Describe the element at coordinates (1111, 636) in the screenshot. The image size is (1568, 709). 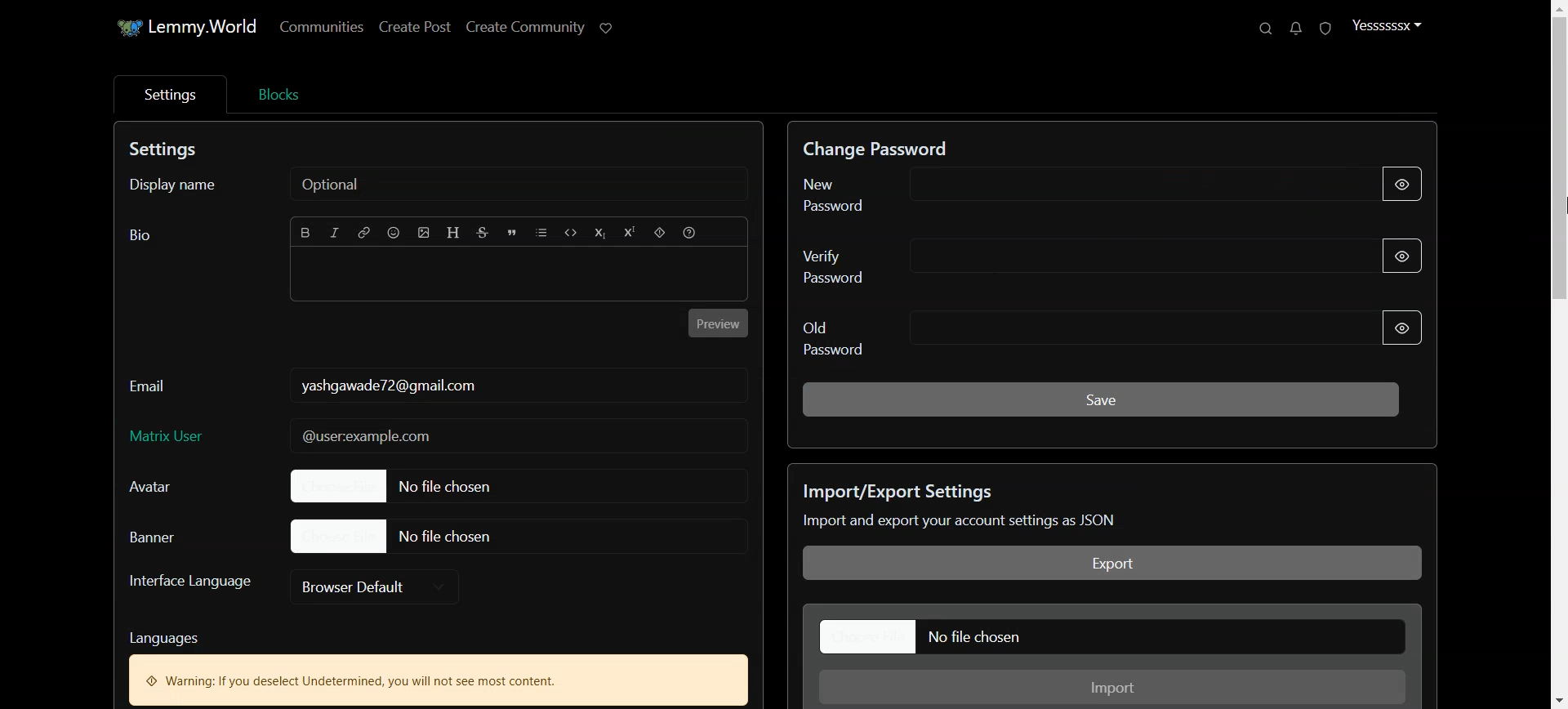
I see `File chosen` at that location.